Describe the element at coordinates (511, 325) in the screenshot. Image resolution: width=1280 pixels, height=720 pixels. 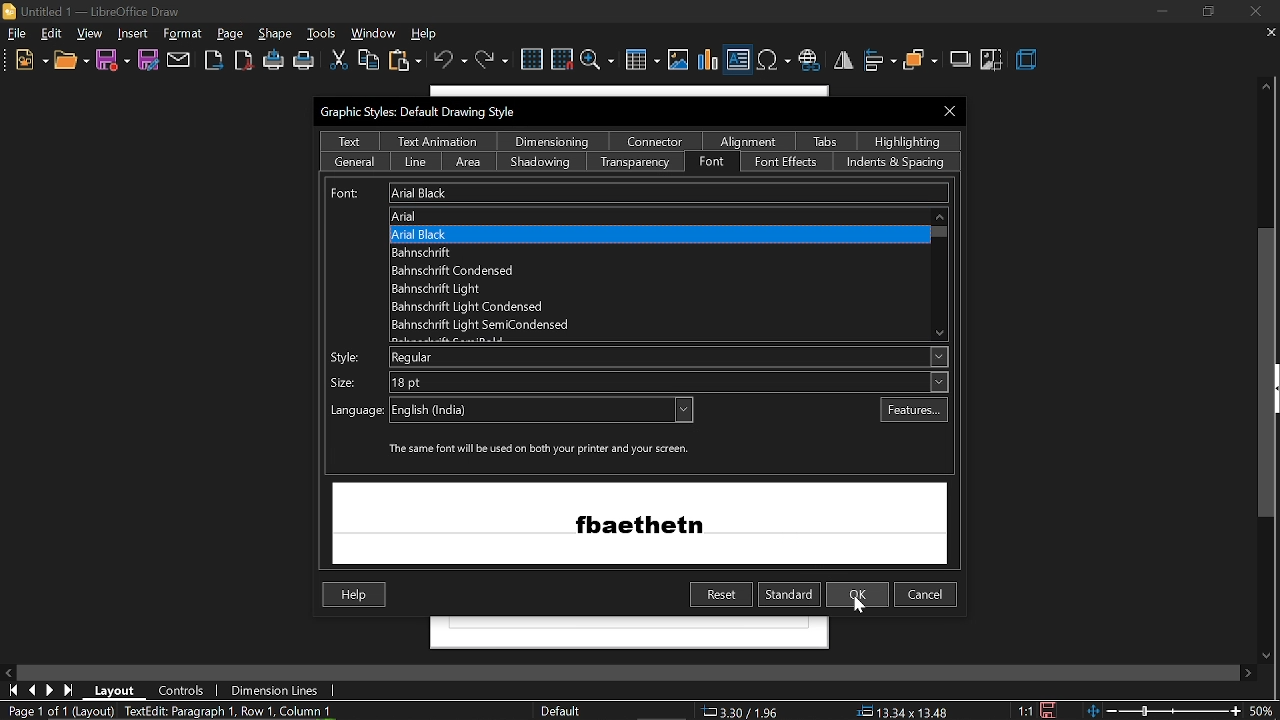
I see `Bahnscfrift Light SemiCondensed` at that location.